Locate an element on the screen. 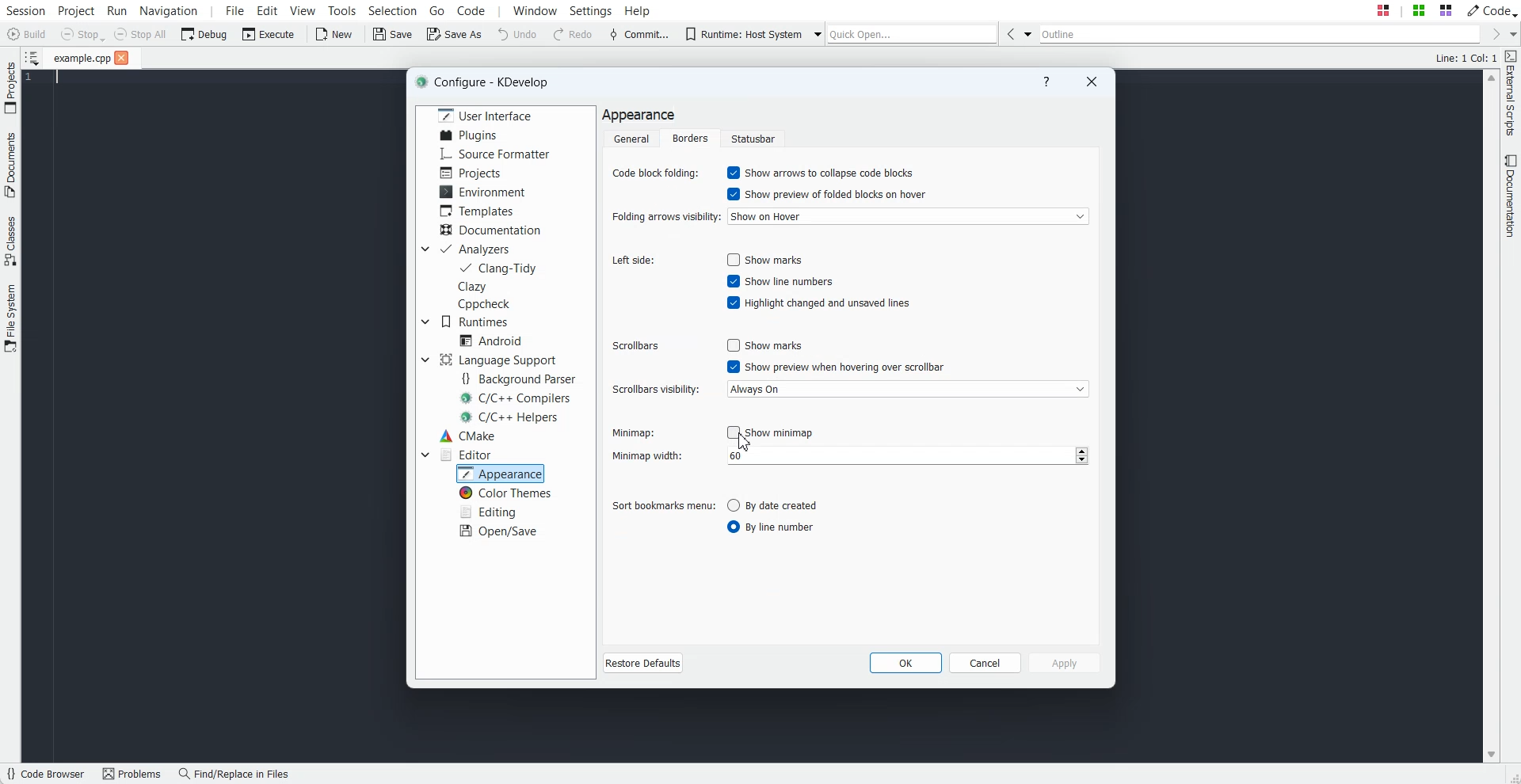 This screenshot has width=1521, height=784. Redo is located at coordinates (576, 34).